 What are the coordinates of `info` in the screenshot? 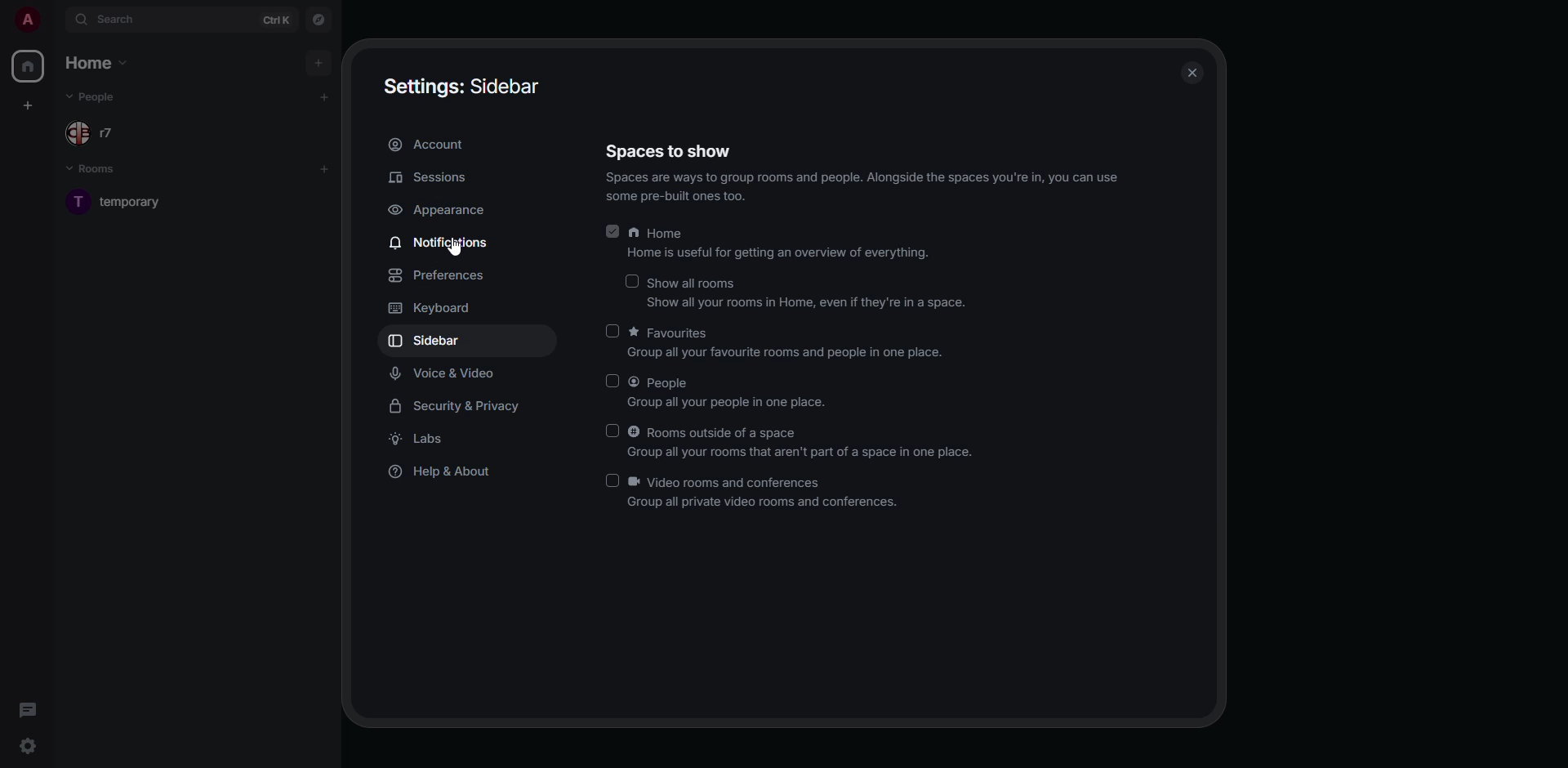 It's located at (860, 188).